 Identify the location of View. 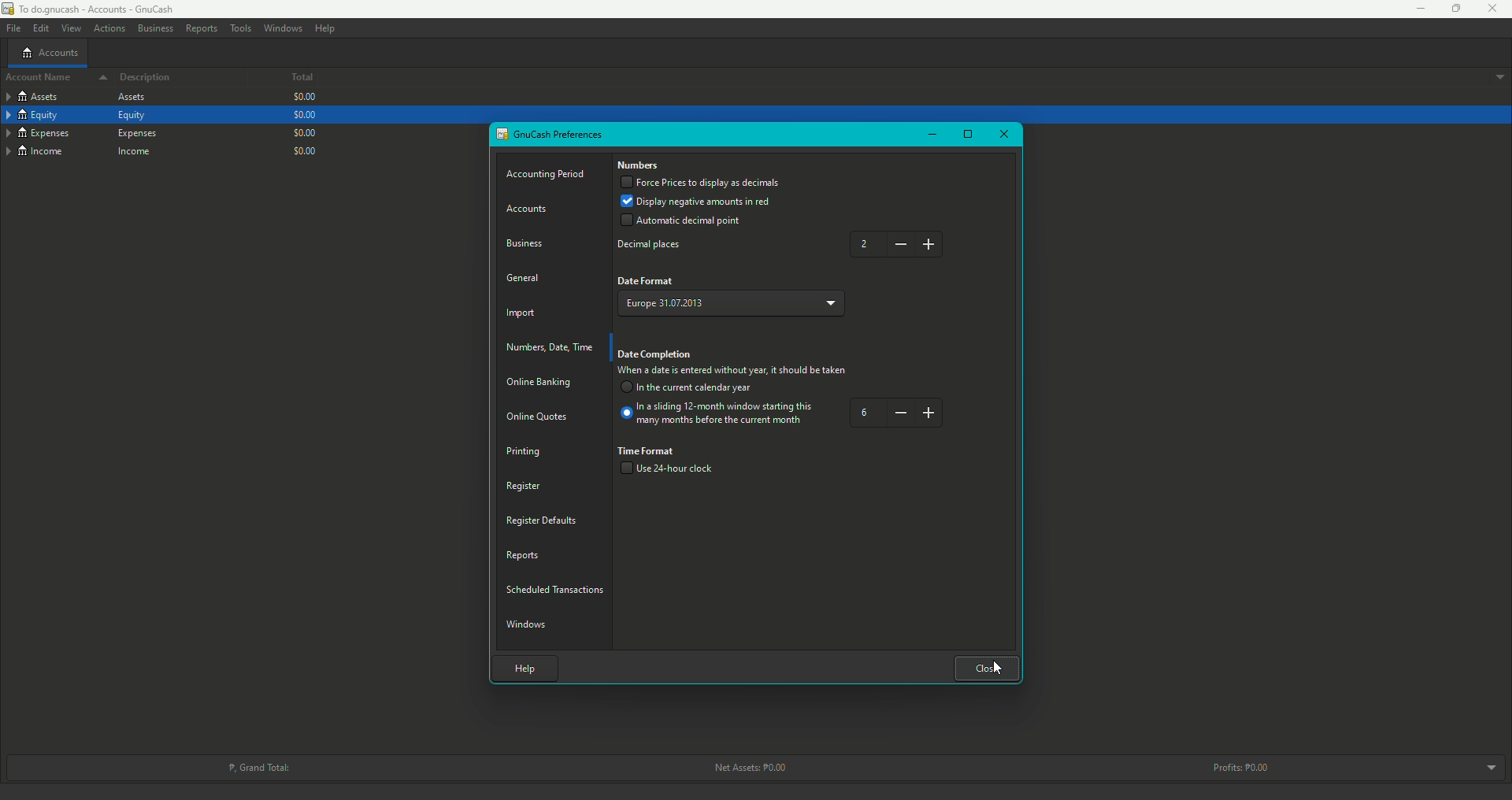
(70, 28).